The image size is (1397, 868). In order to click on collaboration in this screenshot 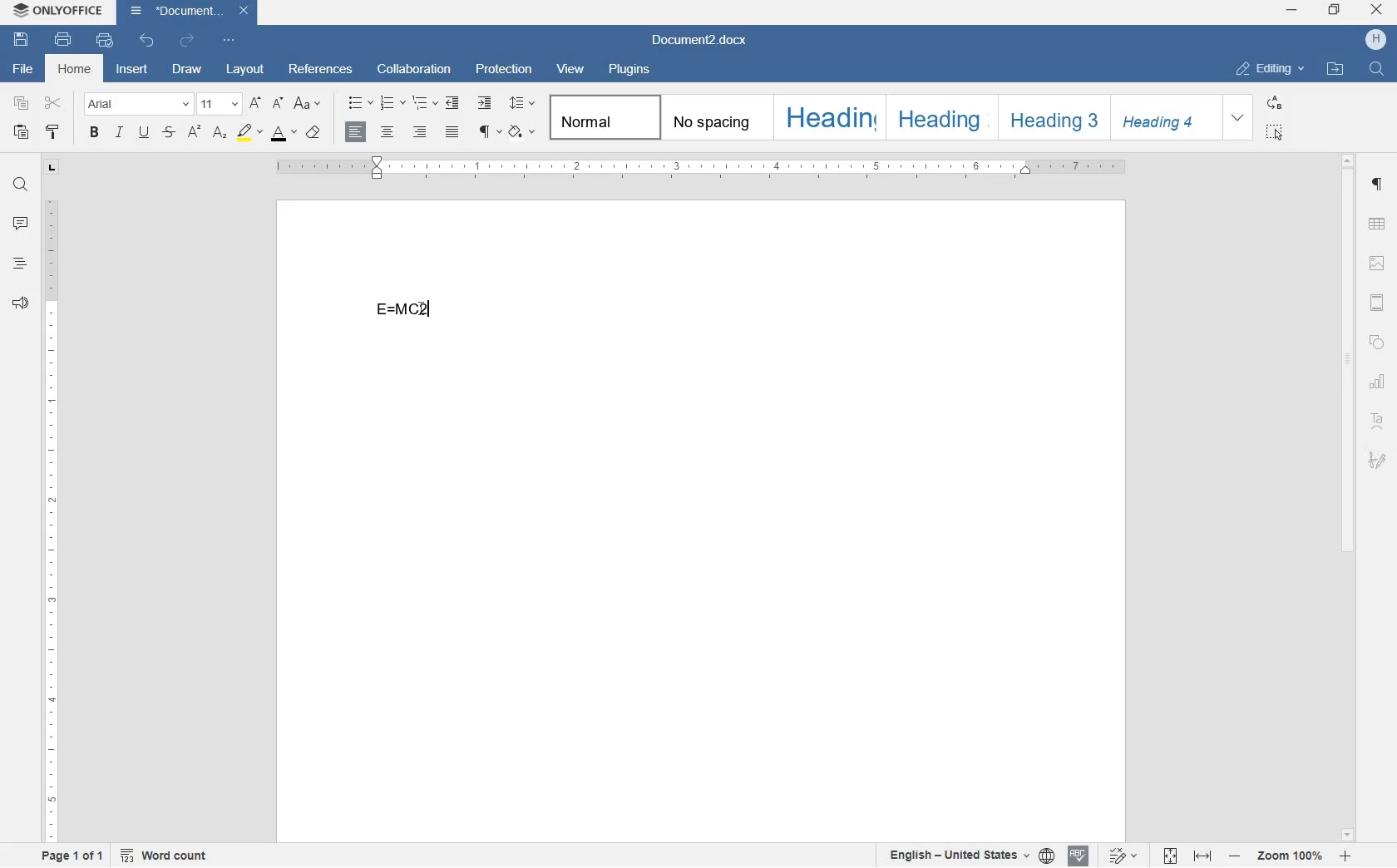, I will do `click(417, 69)`.